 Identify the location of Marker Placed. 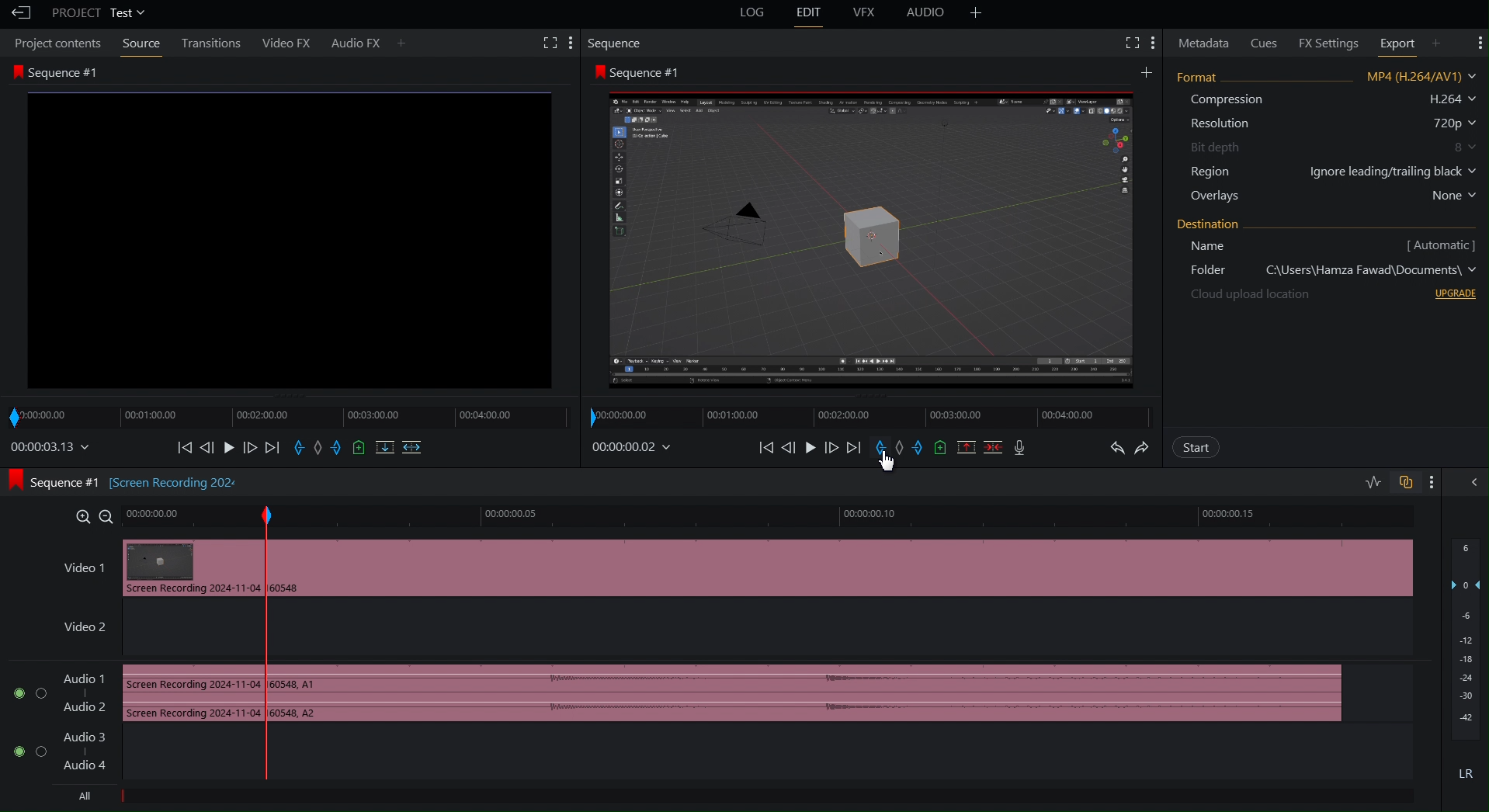
(266, 637).